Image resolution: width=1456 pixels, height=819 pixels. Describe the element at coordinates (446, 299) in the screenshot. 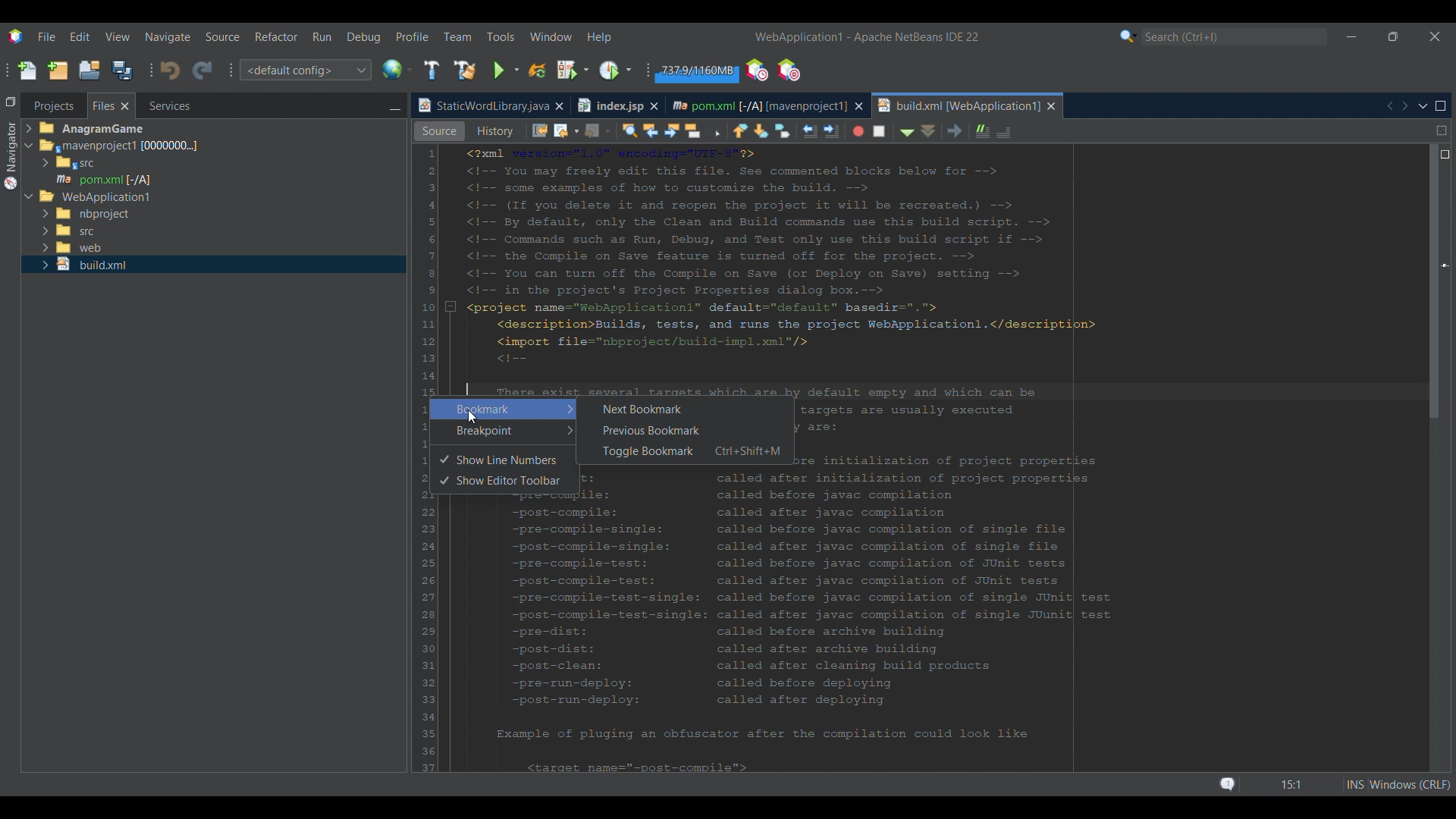

I see `Indicates current selection` at that location.